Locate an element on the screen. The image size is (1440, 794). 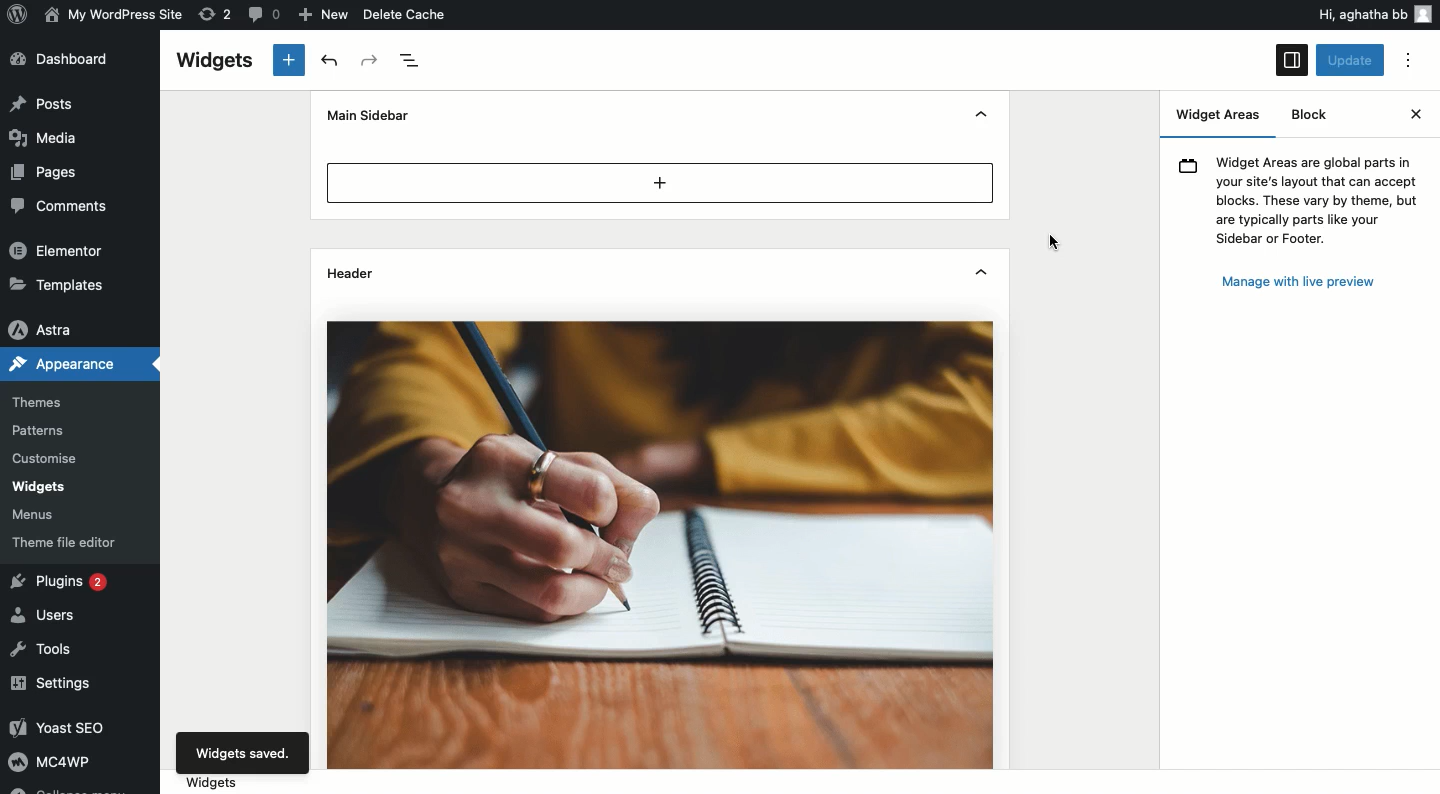
Appearance is located at coordinates (62, 362).